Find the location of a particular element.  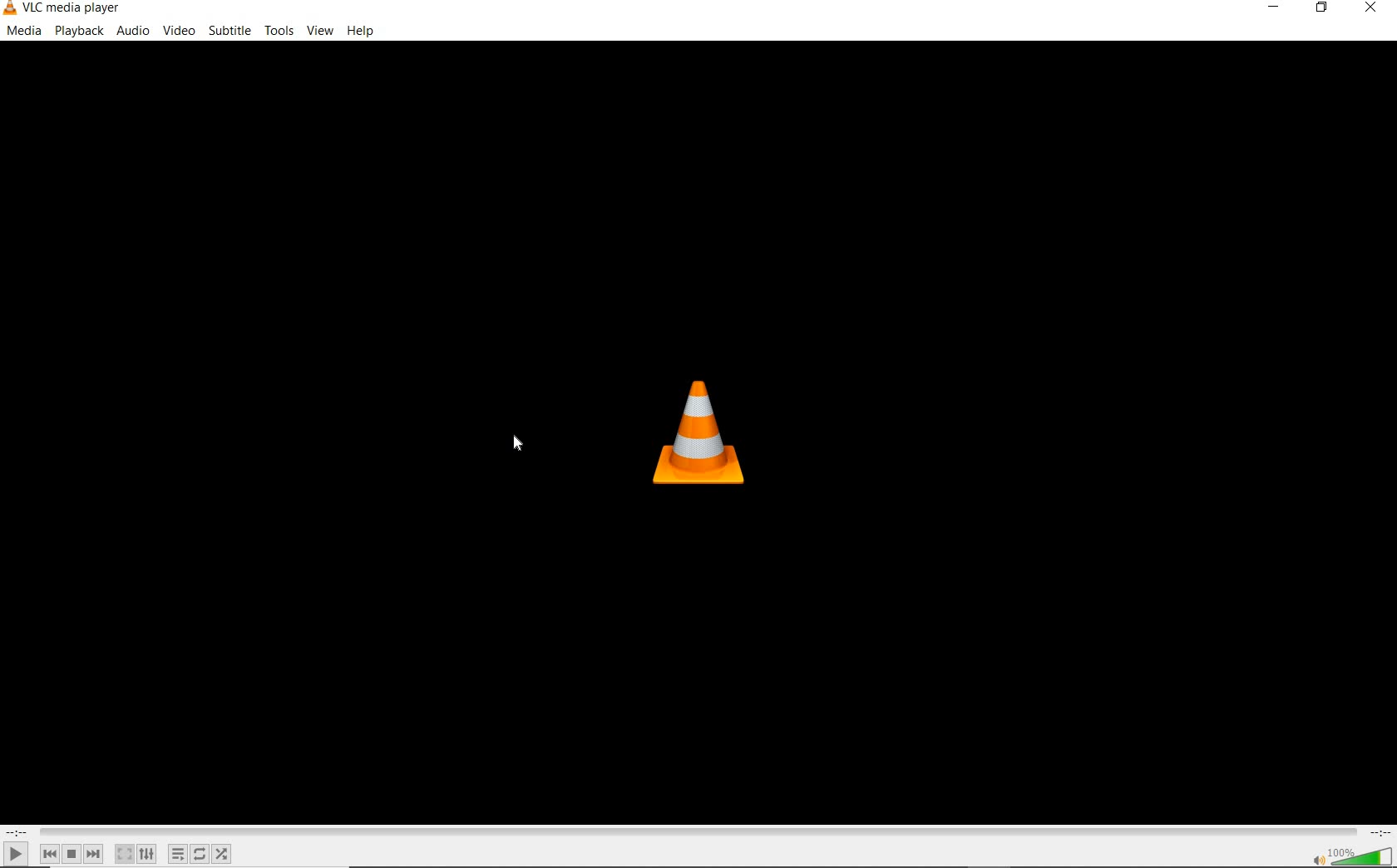

show extended settings is located at coordinates (146, 854).